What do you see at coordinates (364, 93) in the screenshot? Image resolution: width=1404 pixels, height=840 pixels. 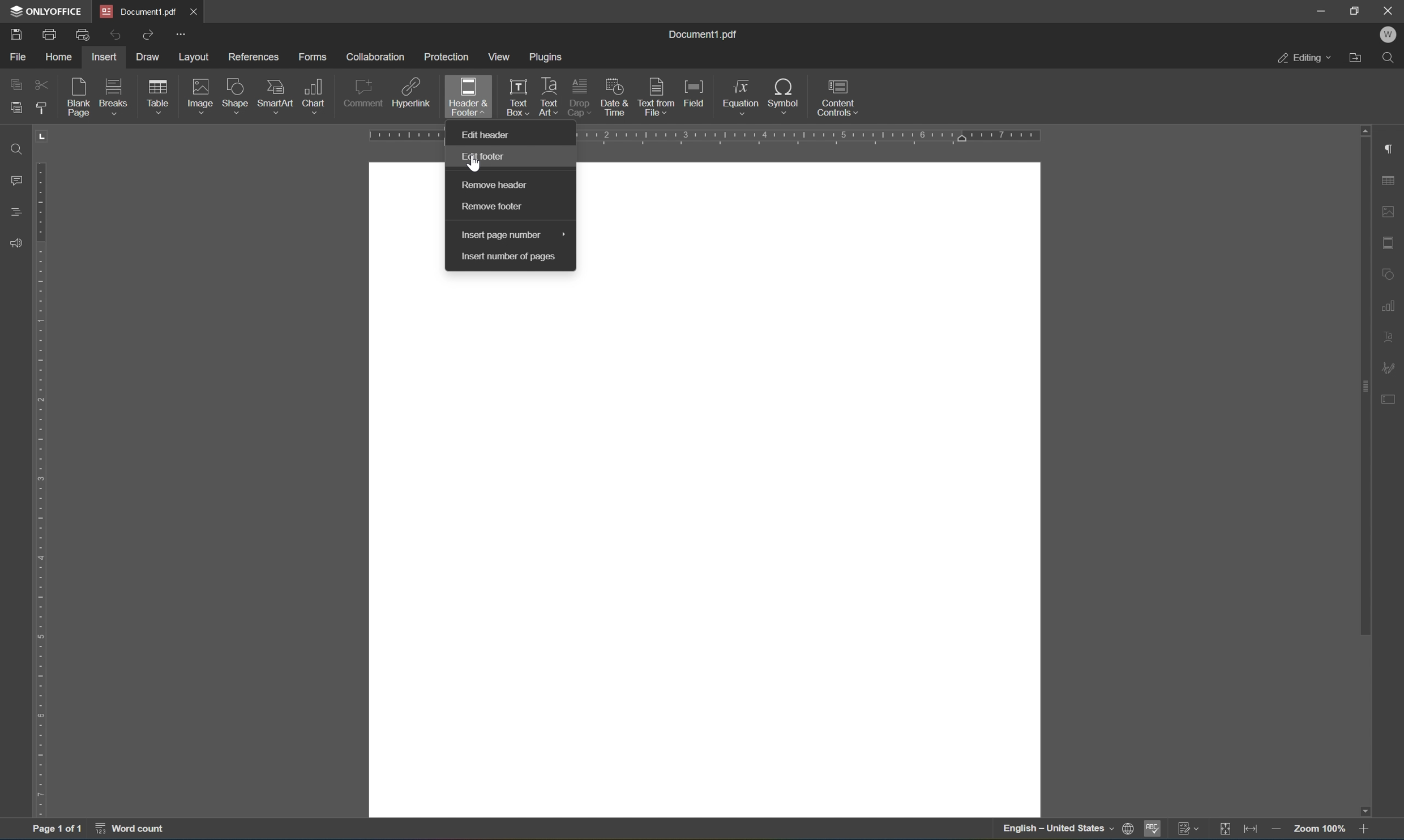 I see `comment` at bounding box center [364, 93].